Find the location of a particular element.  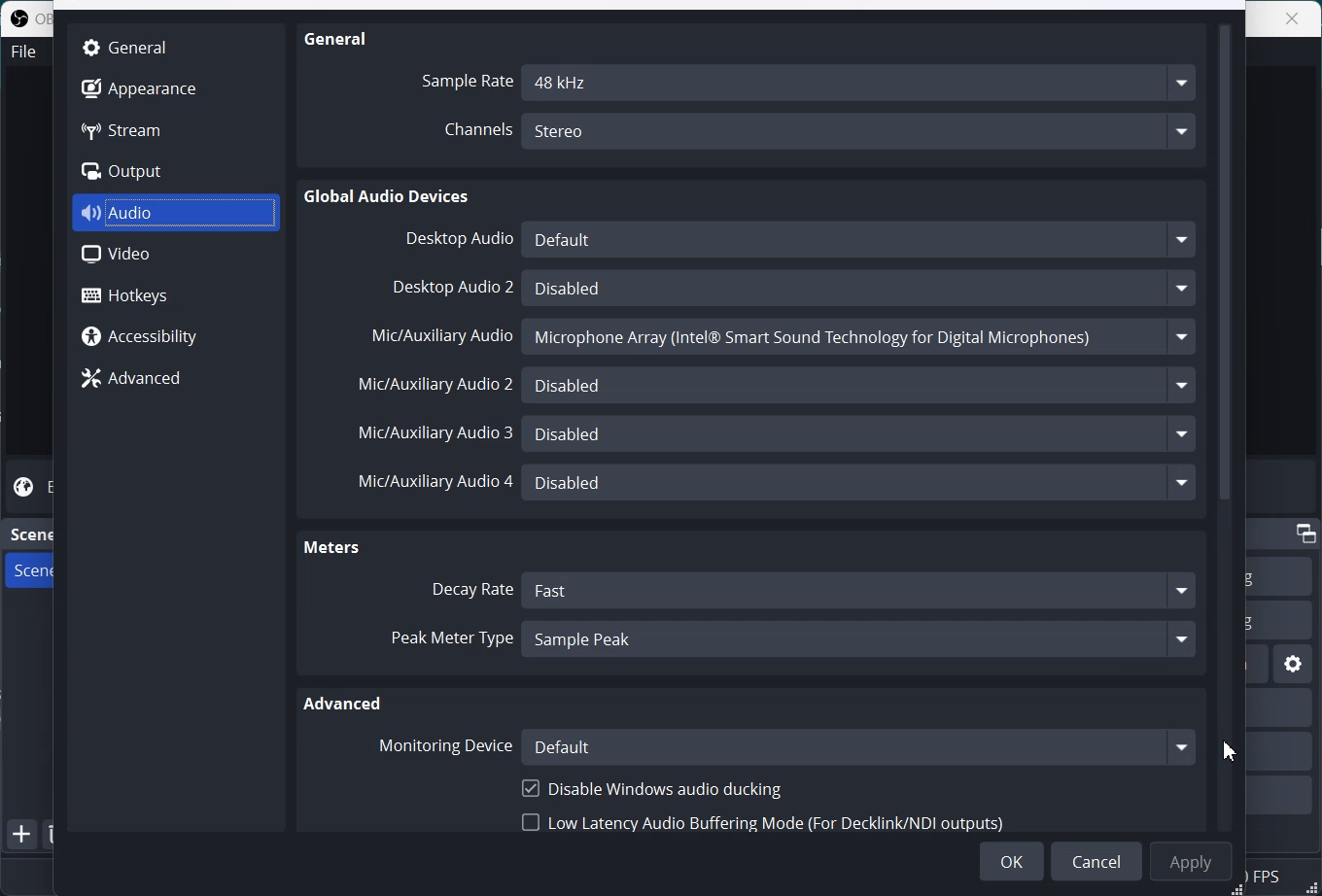

Default is located at coordinates (861, 748).